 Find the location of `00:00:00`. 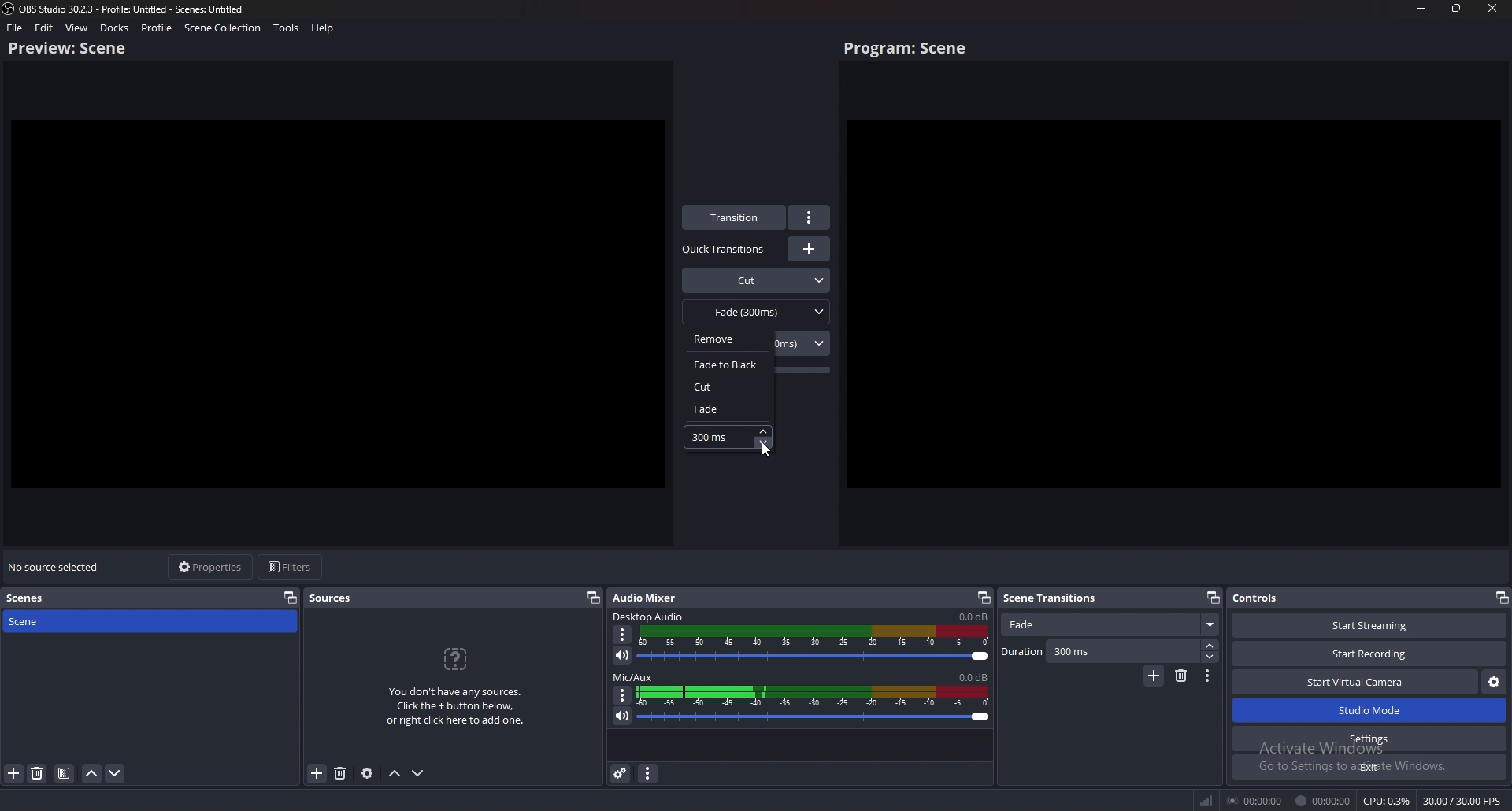

00:00:00 is located at coordinates (1253, 802).